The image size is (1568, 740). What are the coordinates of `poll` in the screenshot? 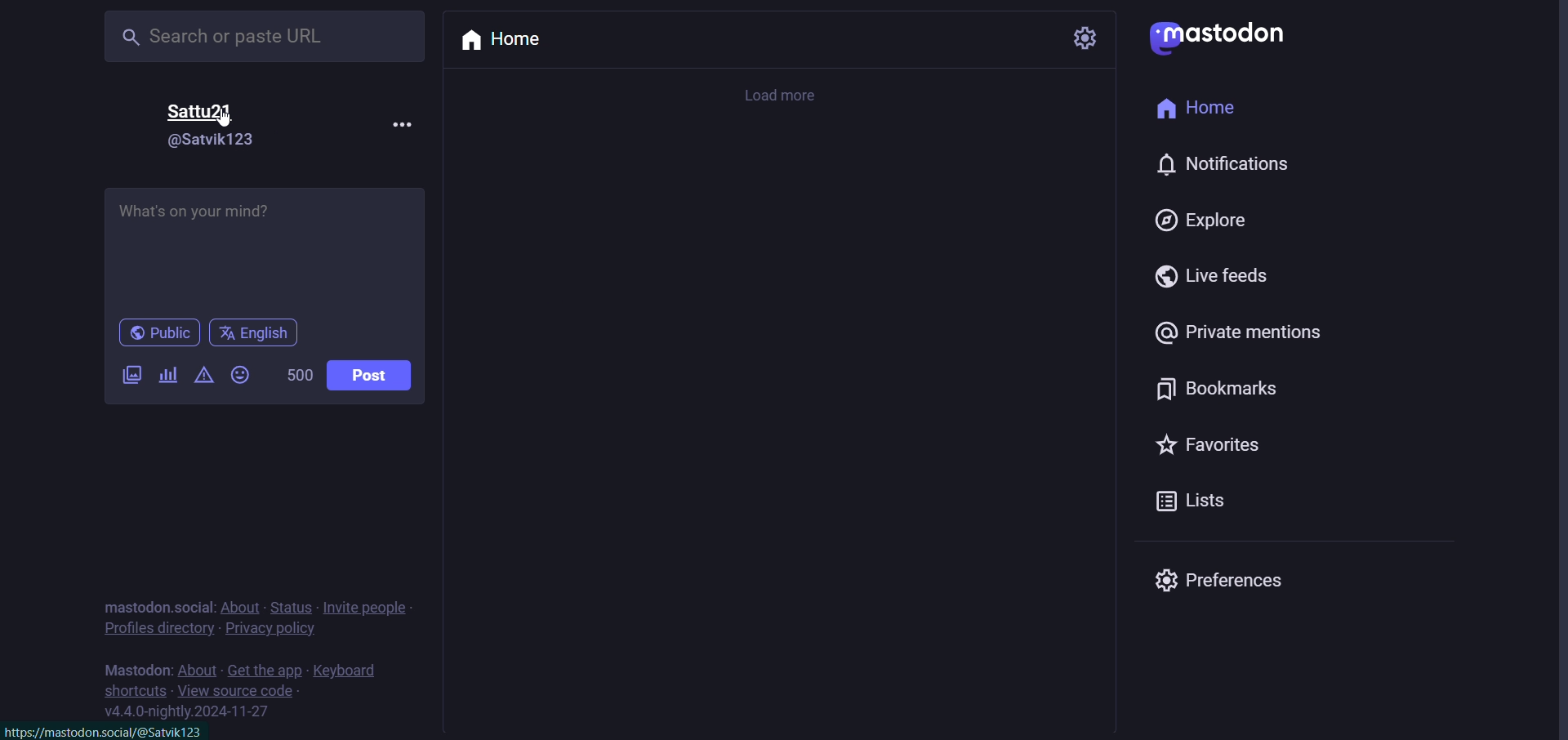 It's located at (166, 375).